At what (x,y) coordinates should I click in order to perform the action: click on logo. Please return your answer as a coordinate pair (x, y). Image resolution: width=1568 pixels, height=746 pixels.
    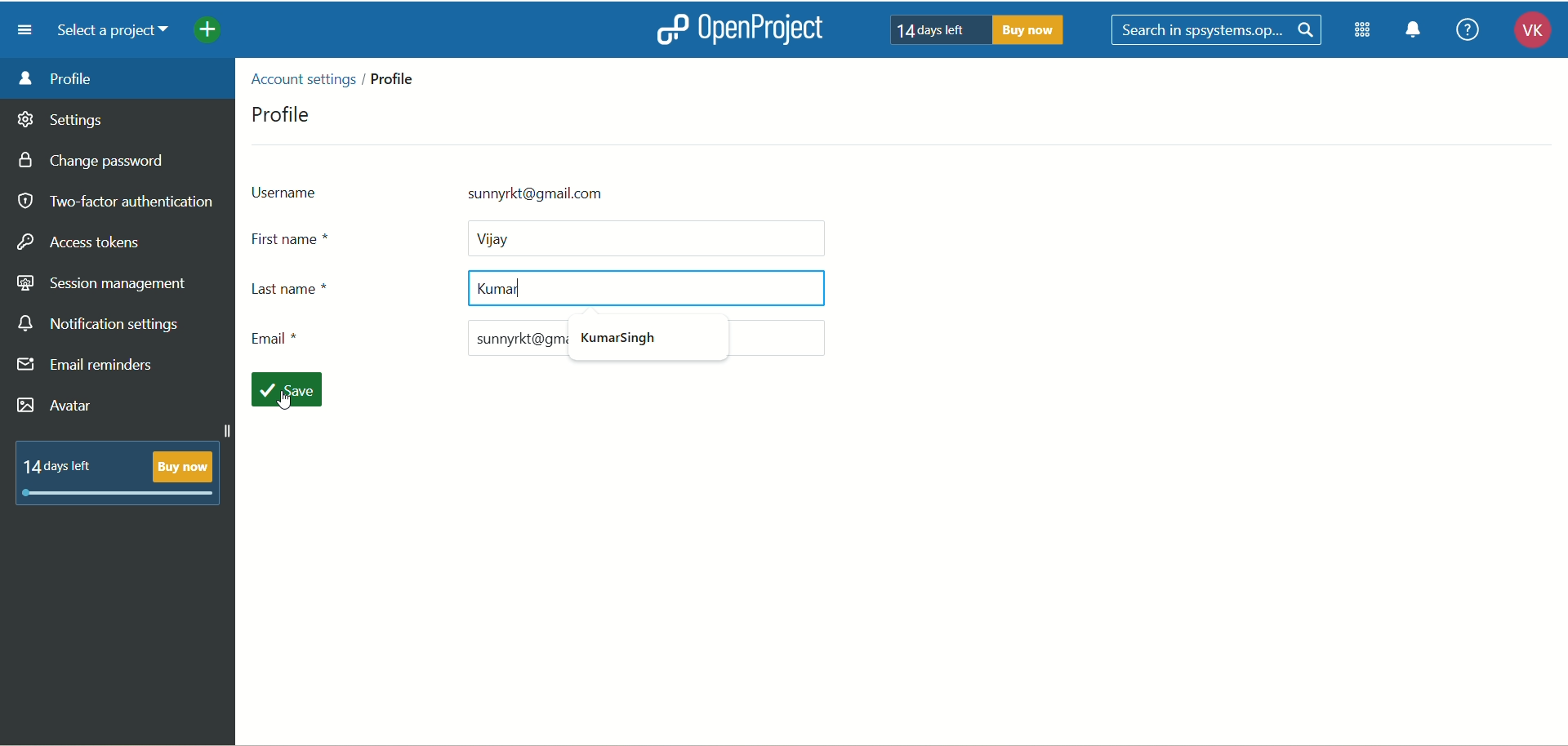
    Looking at the image, I should click on (670, 29).